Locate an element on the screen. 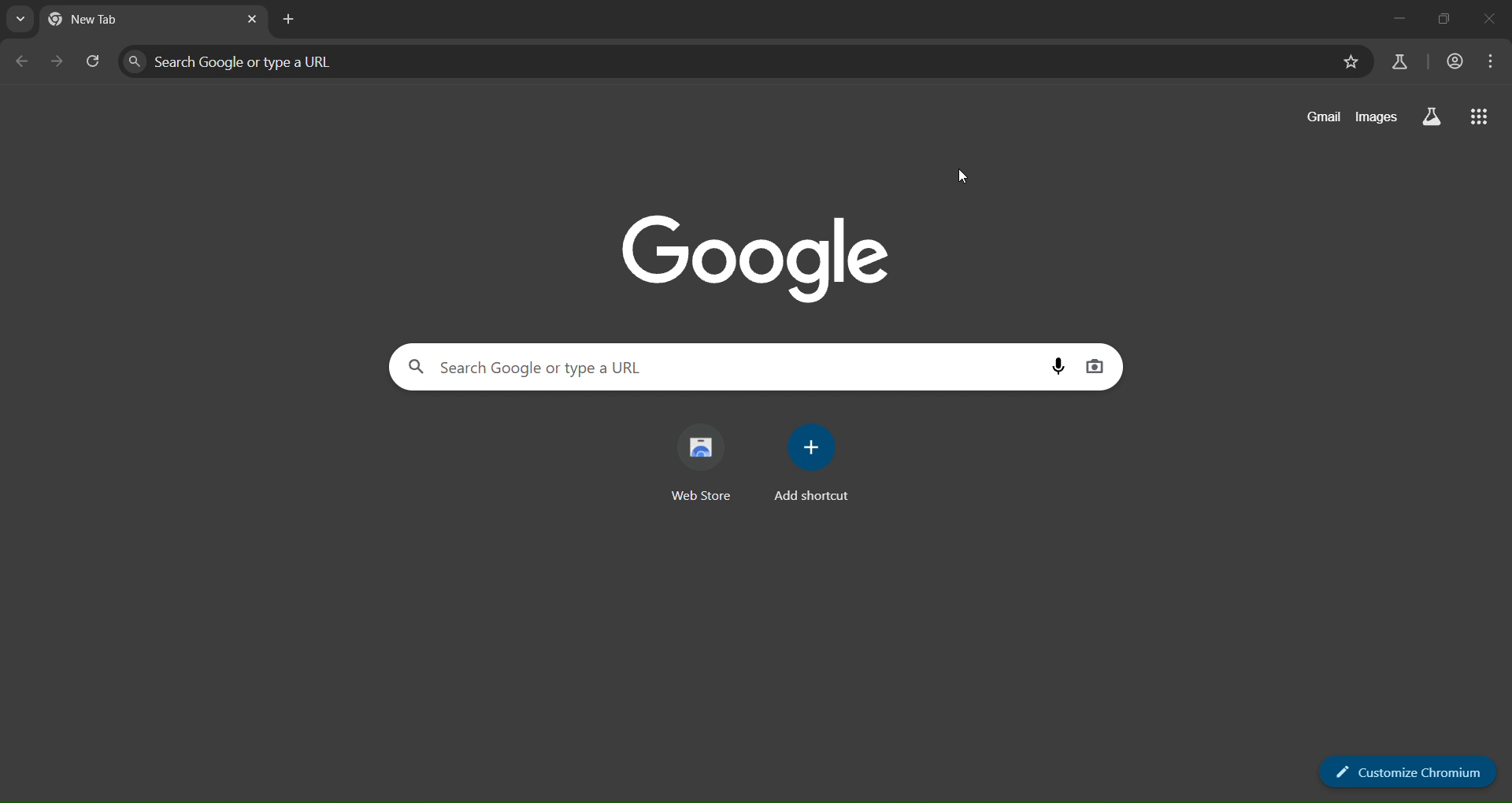 The width and height of the screenshot is (1512, 803). cursor is located at coordinates (961, 172).